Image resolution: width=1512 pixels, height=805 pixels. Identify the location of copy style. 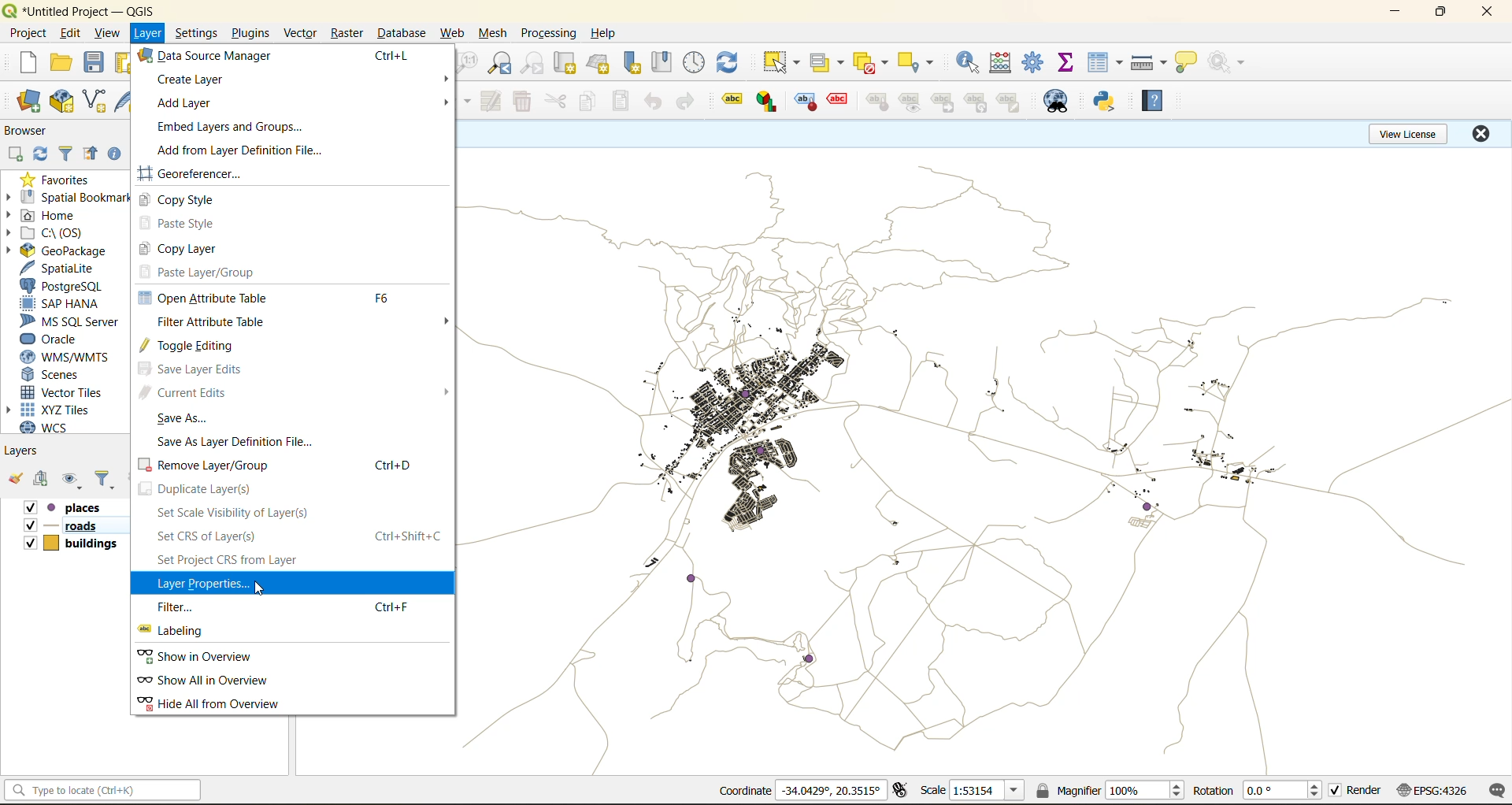
(188, 201).